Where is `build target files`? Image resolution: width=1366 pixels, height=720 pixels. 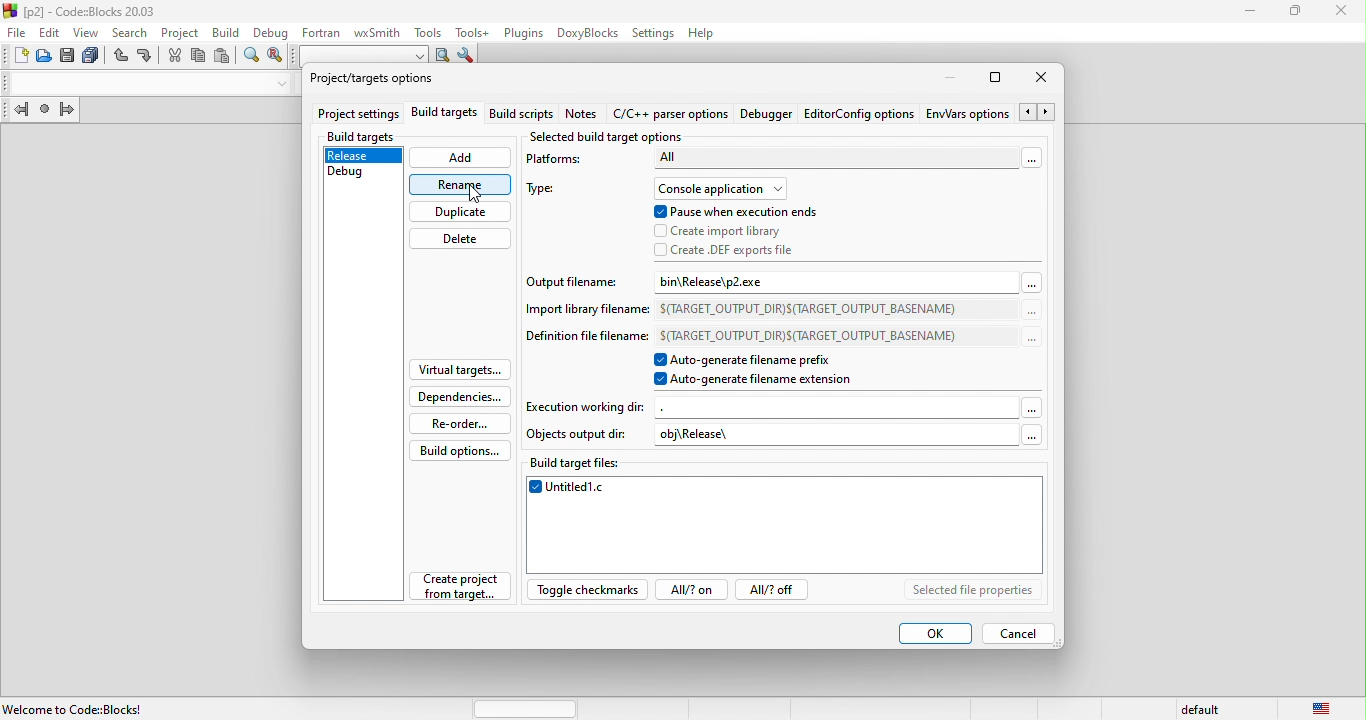
build target files is located at coordinates (581, 462).